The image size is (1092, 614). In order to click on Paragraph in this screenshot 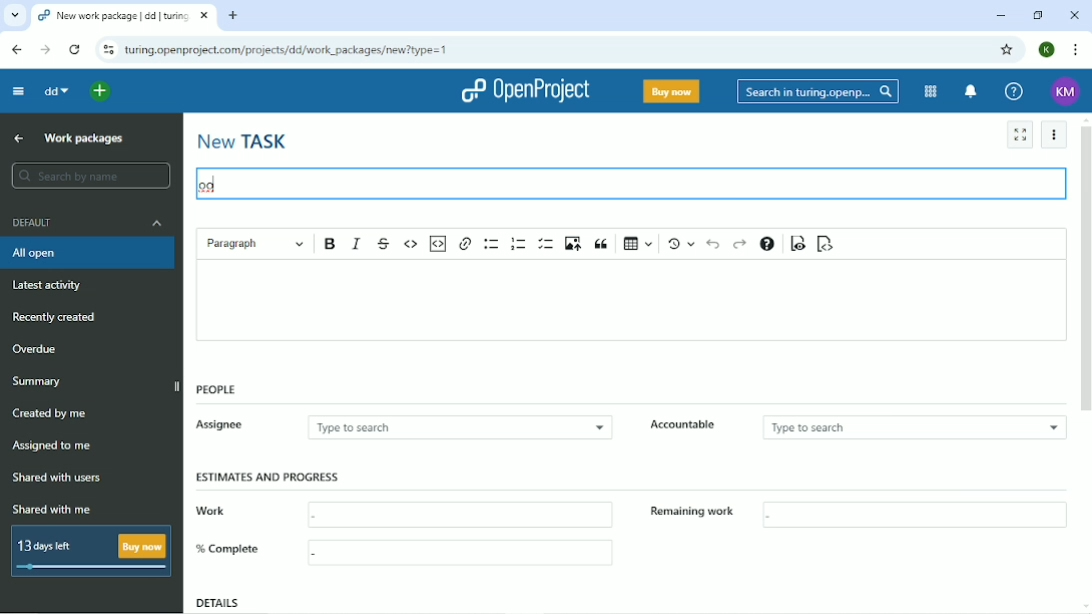, I will do `click(255, 245)`.